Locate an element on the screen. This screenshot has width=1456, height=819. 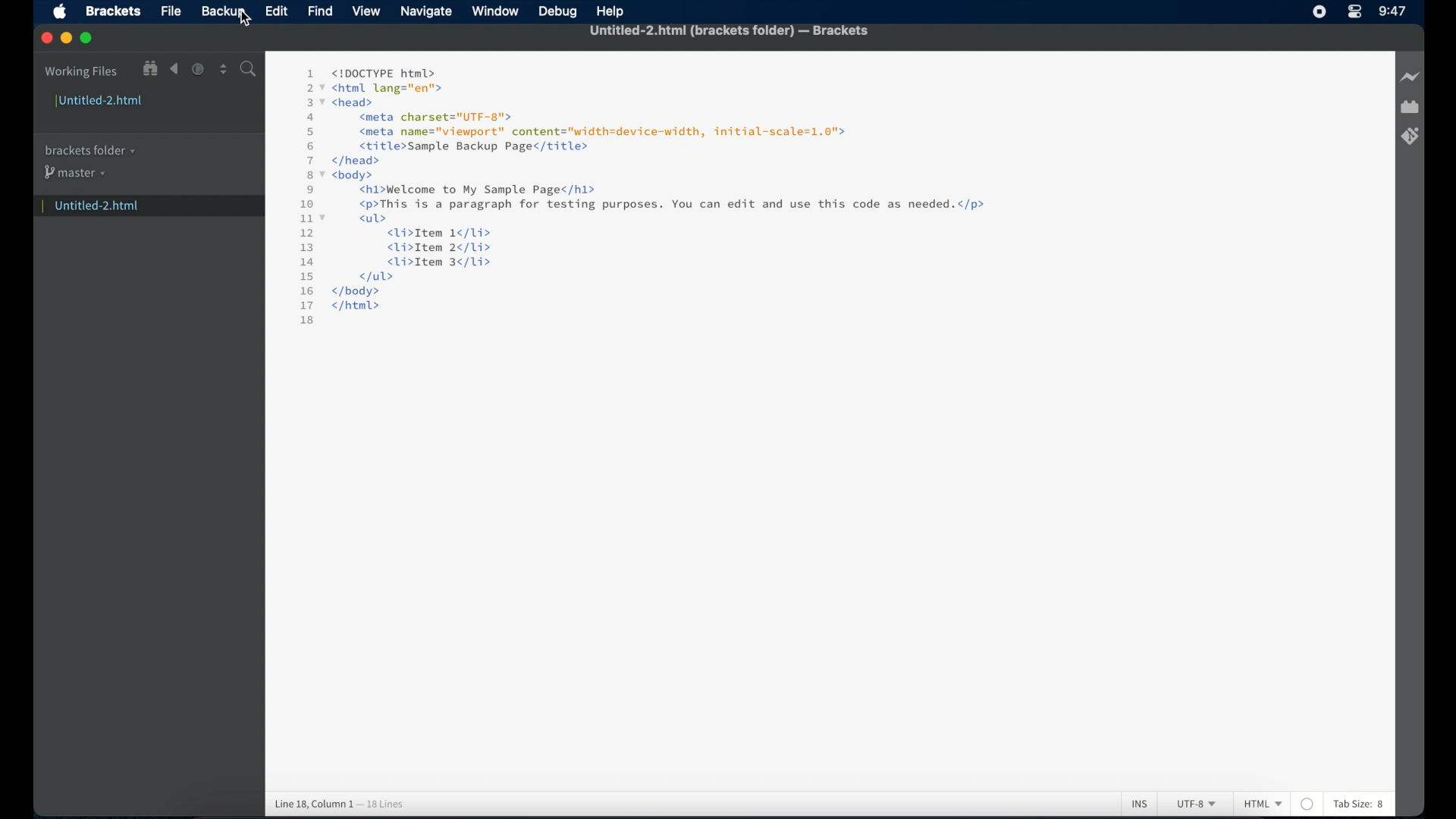
navigate backward is located at coordinates (174, 69).